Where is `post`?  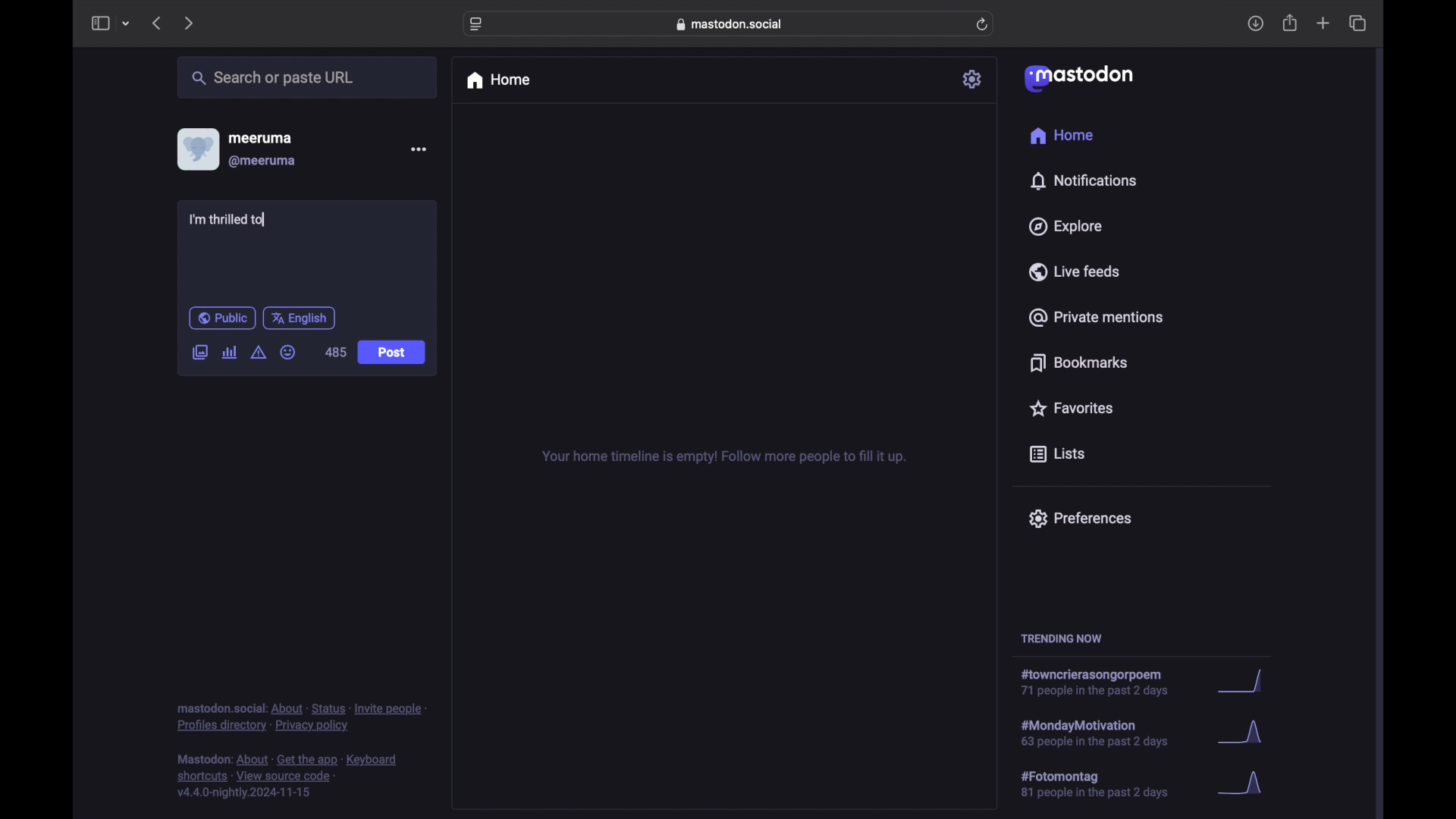
post is located at coordinates (391, 353).